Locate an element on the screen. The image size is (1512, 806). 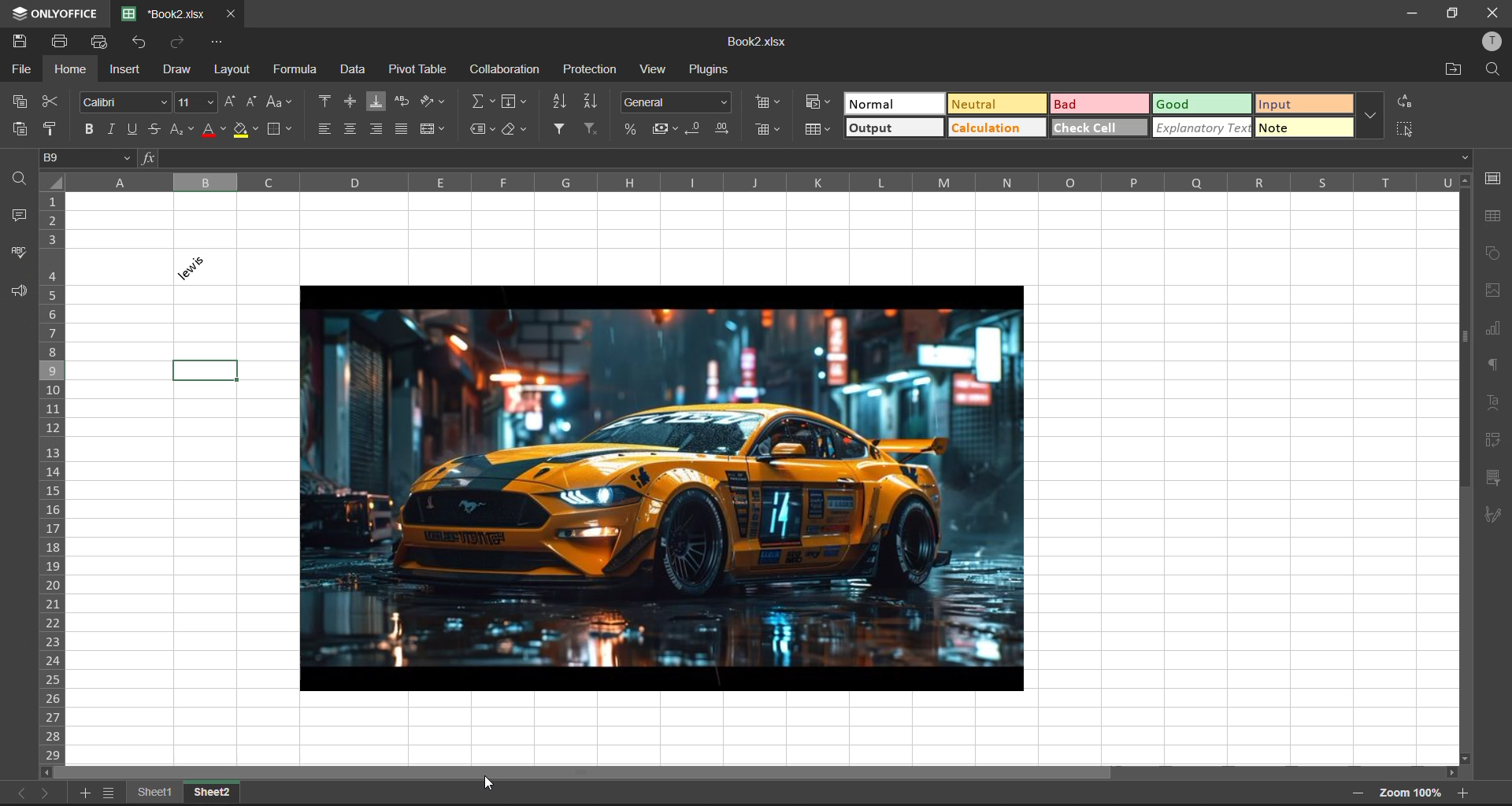
find is located at coordinates (1496, 70).